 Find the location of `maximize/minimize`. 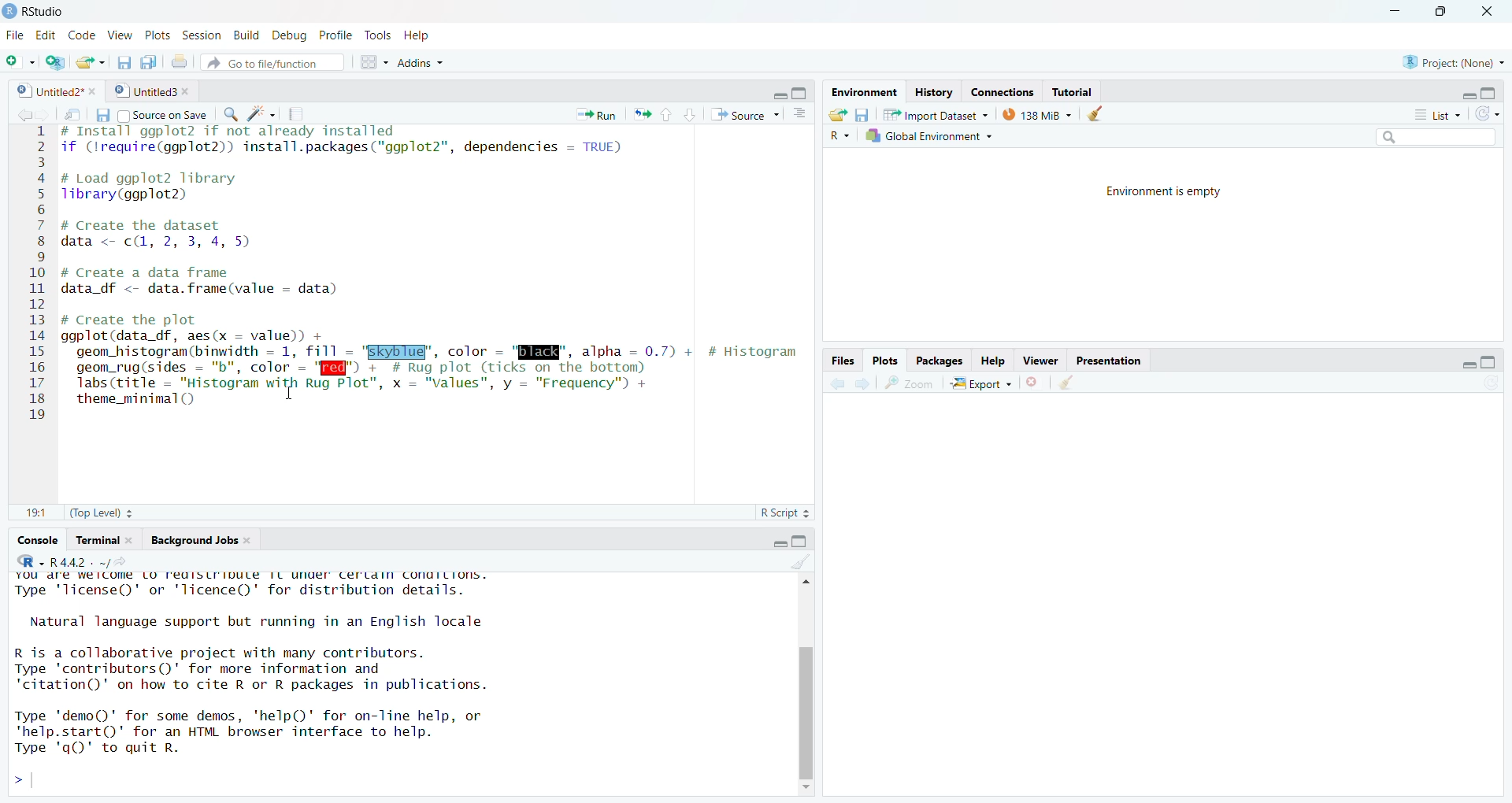

maximize/minimize is located at coordinates (1472, 360).